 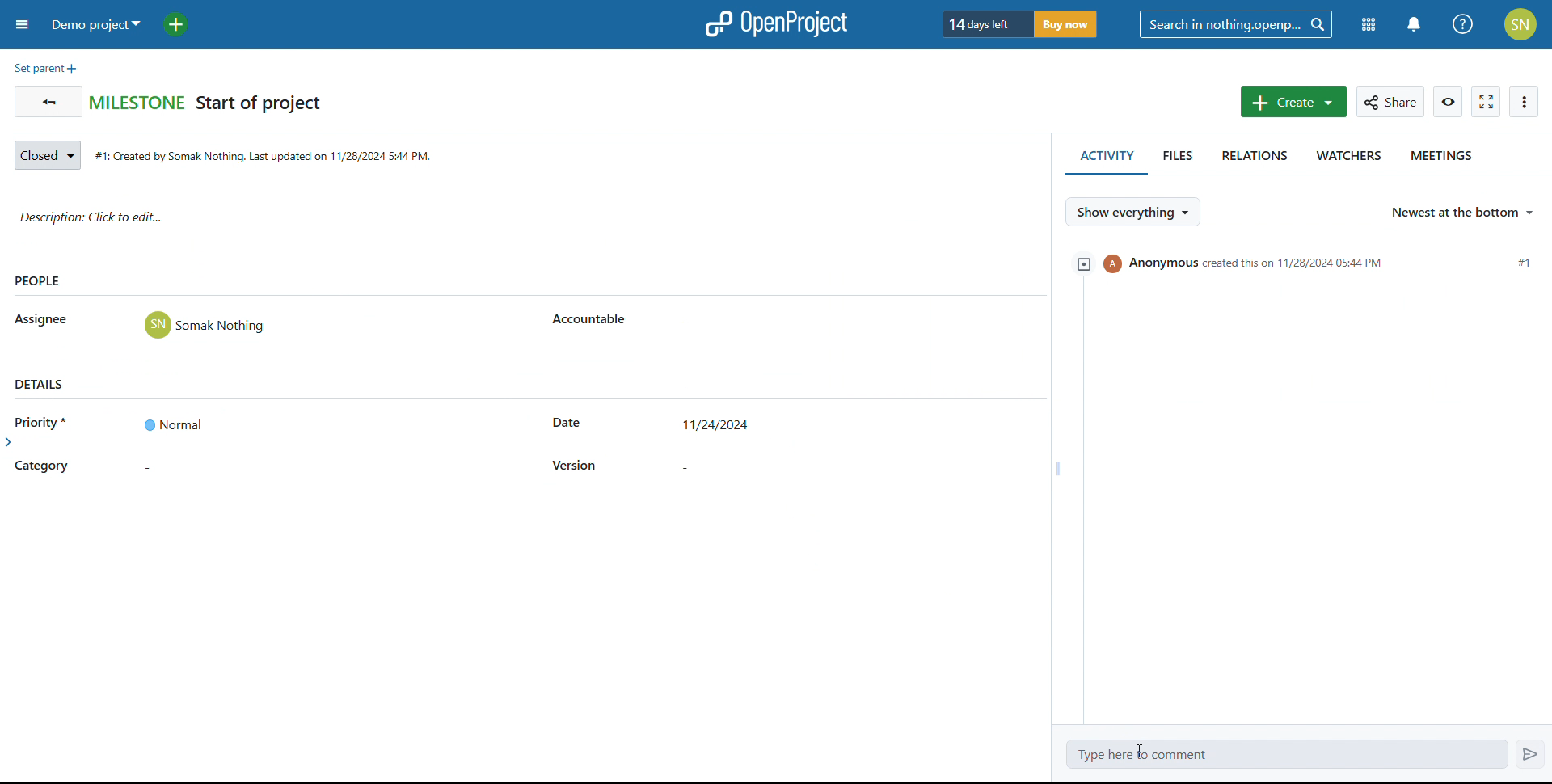 What do you see at coordinates (718, 465) in the screenshot?
I see `set version` at bounding box center [718, 465].